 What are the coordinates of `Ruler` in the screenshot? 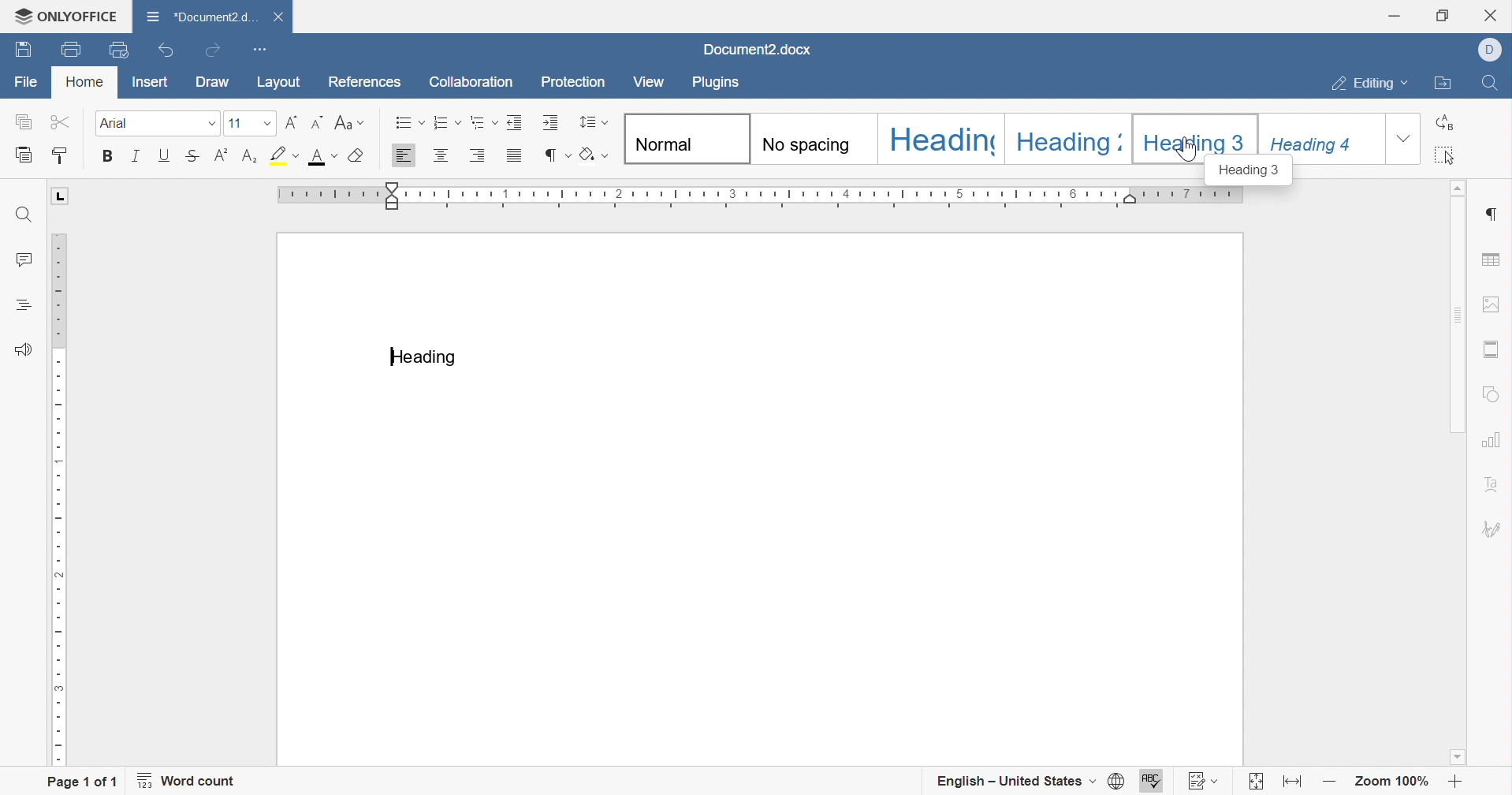 It's located at (765, 193).